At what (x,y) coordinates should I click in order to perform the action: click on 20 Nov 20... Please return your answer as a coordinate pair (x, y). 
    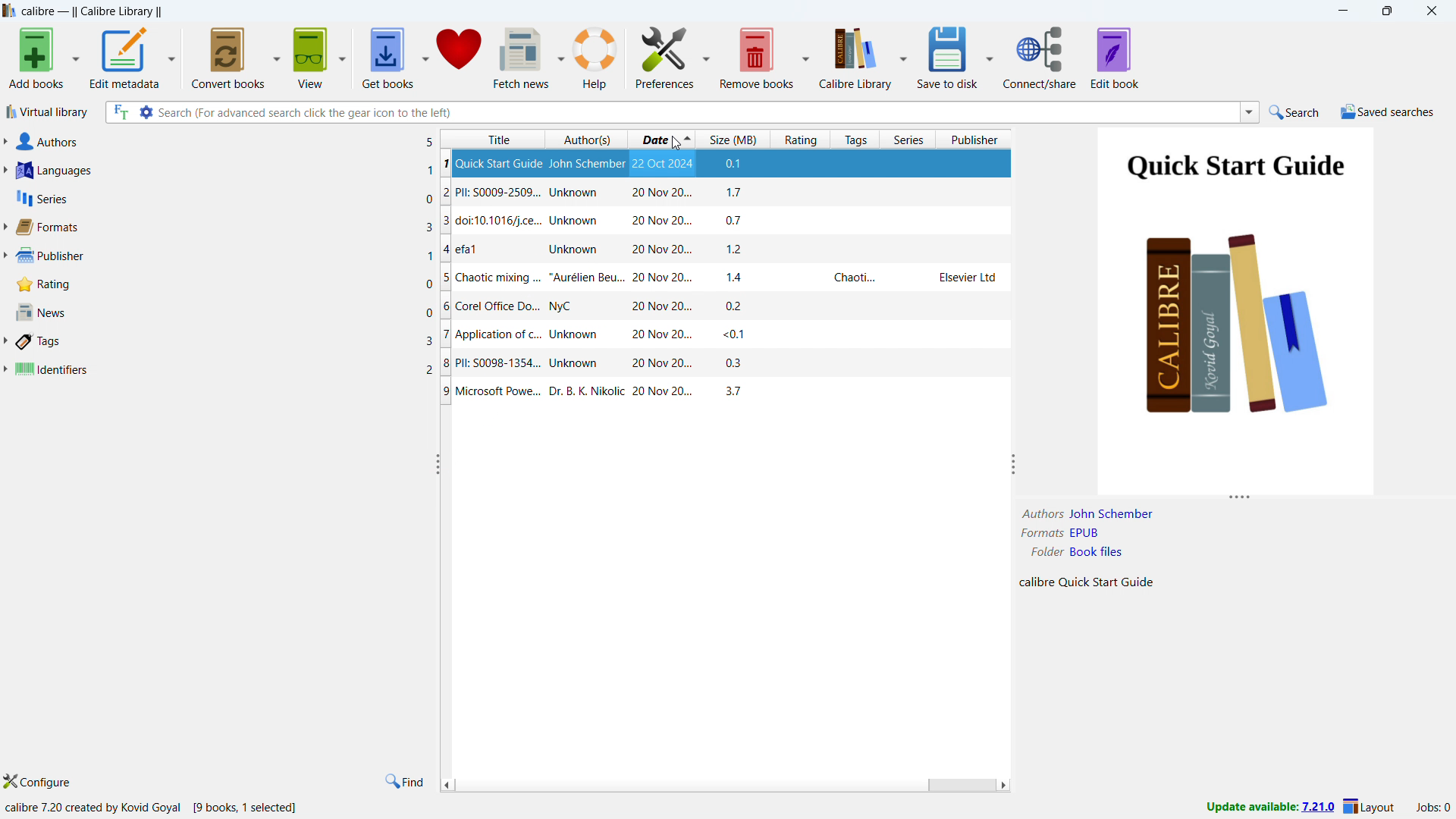
    Looking at the image, I should click on (662, 221).